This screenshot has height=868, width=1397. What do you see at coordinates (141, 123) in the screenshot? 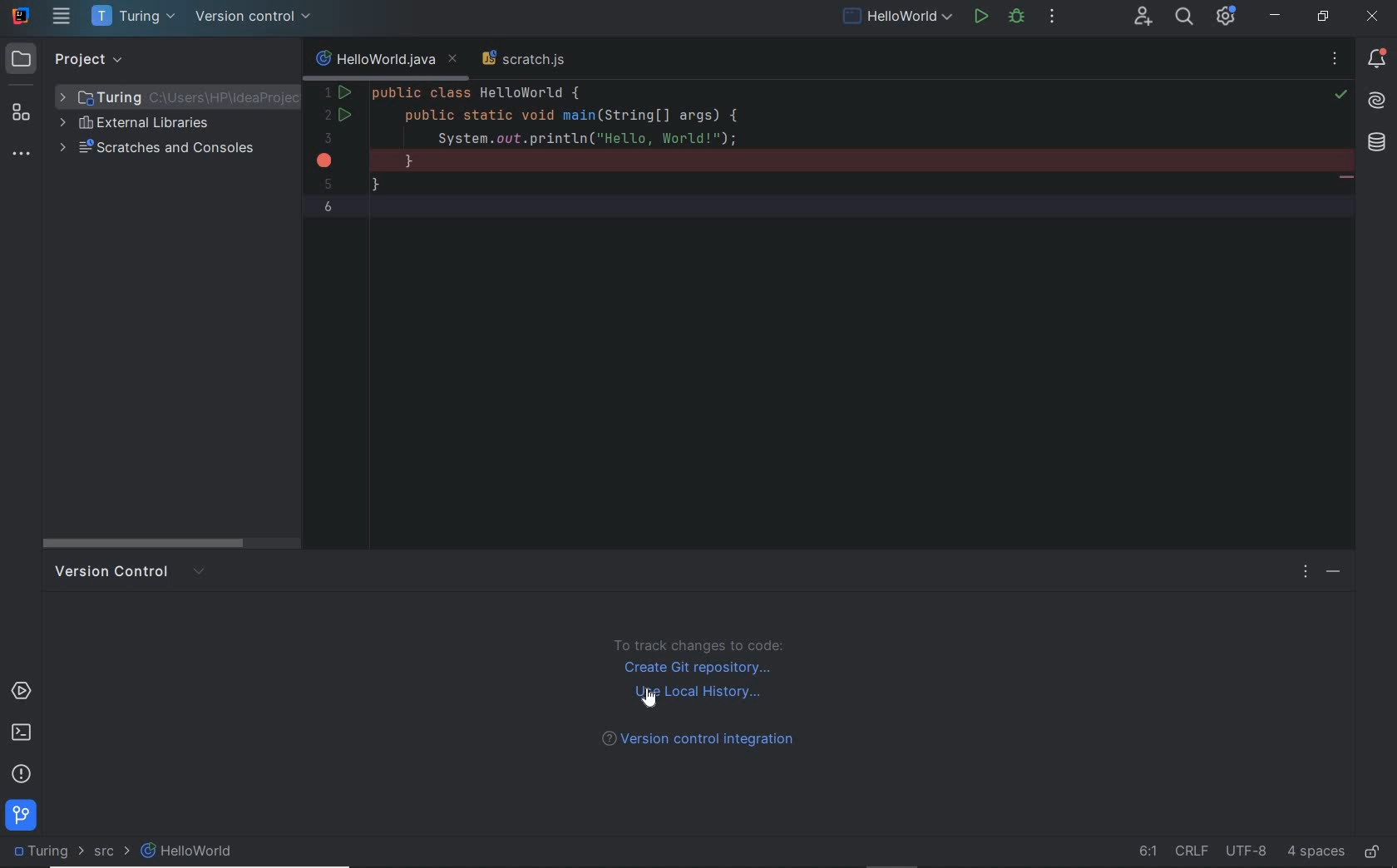
I see `external libraries` at bounding box center [141, 123].